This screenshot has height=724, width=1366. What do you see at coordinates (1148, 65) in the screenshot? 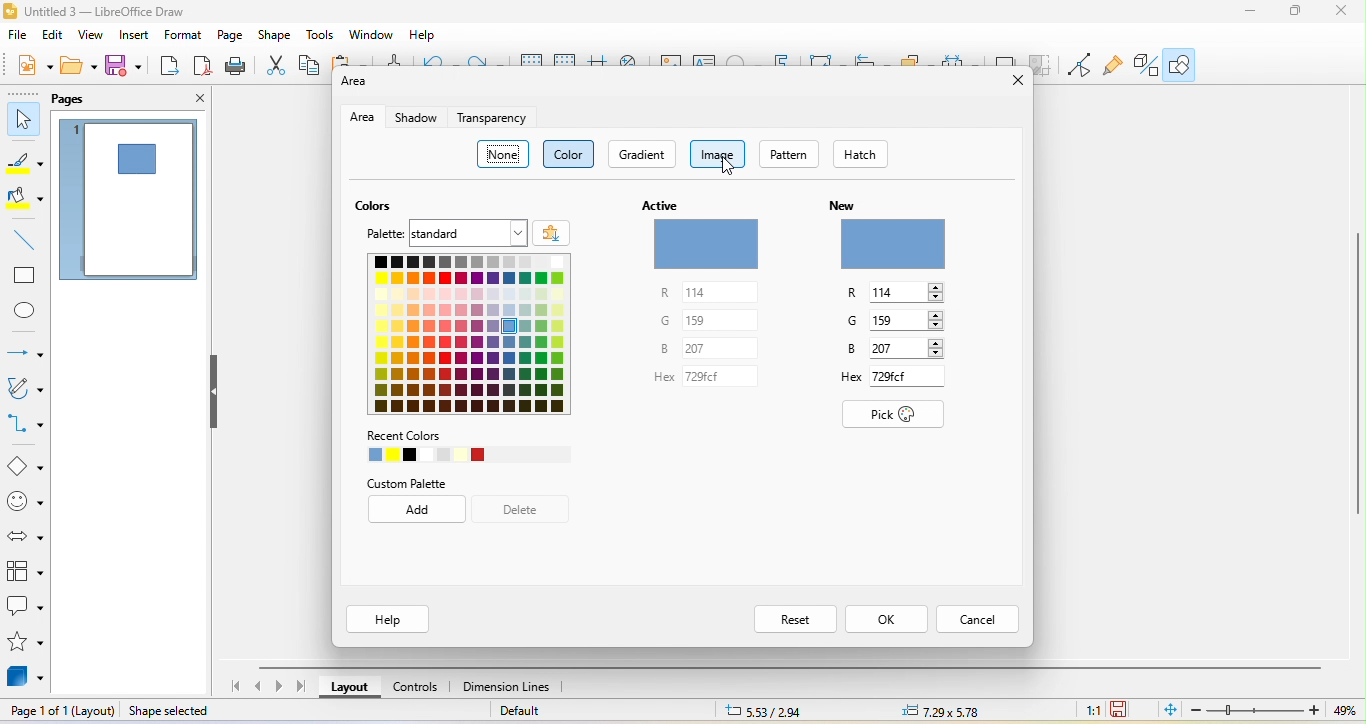
I see `extrusion` at bounding box center [1148, 65].